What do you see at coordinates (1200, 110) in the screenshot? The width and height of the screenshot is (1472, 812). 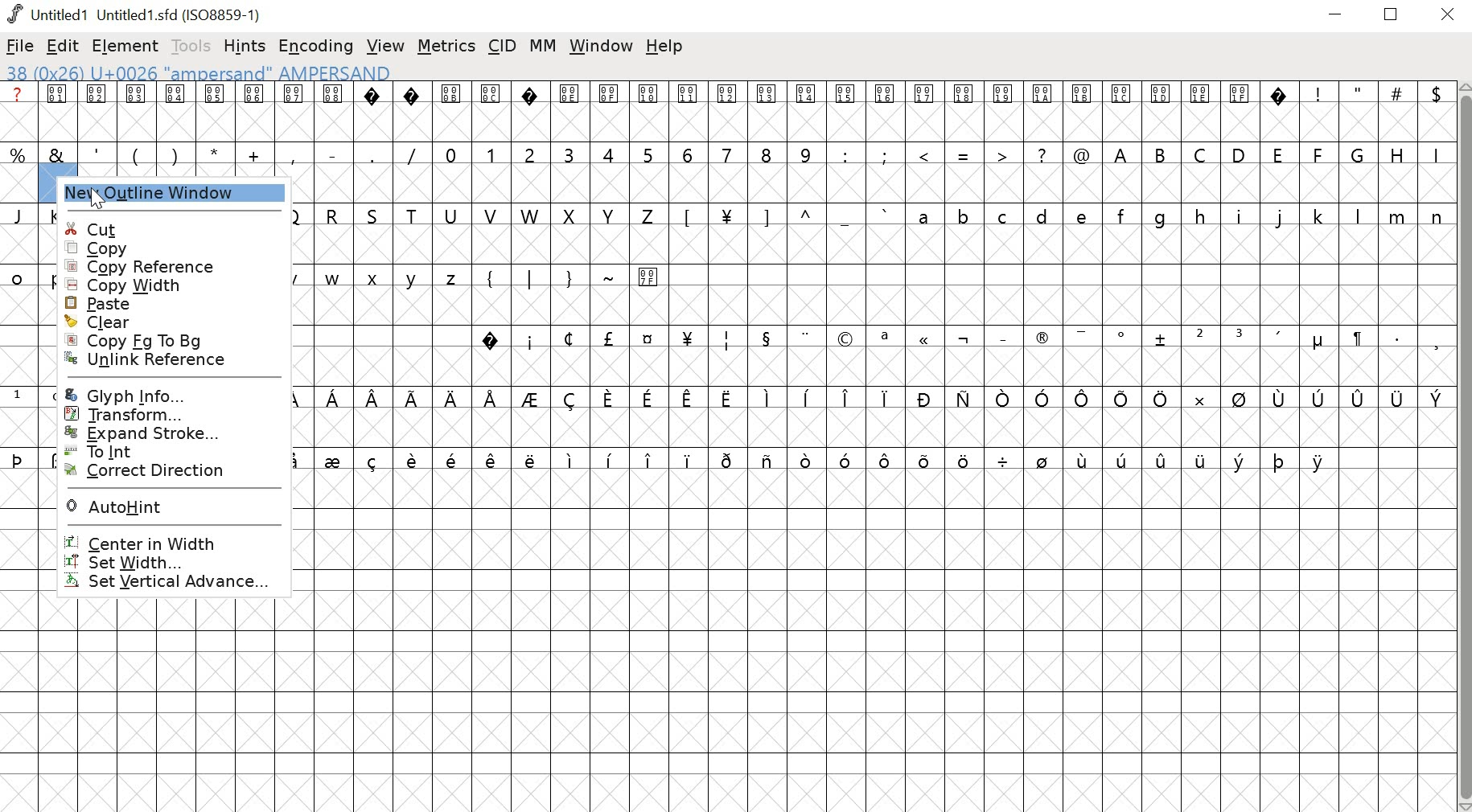 I see `001E` at bounding box center [1200, 110].